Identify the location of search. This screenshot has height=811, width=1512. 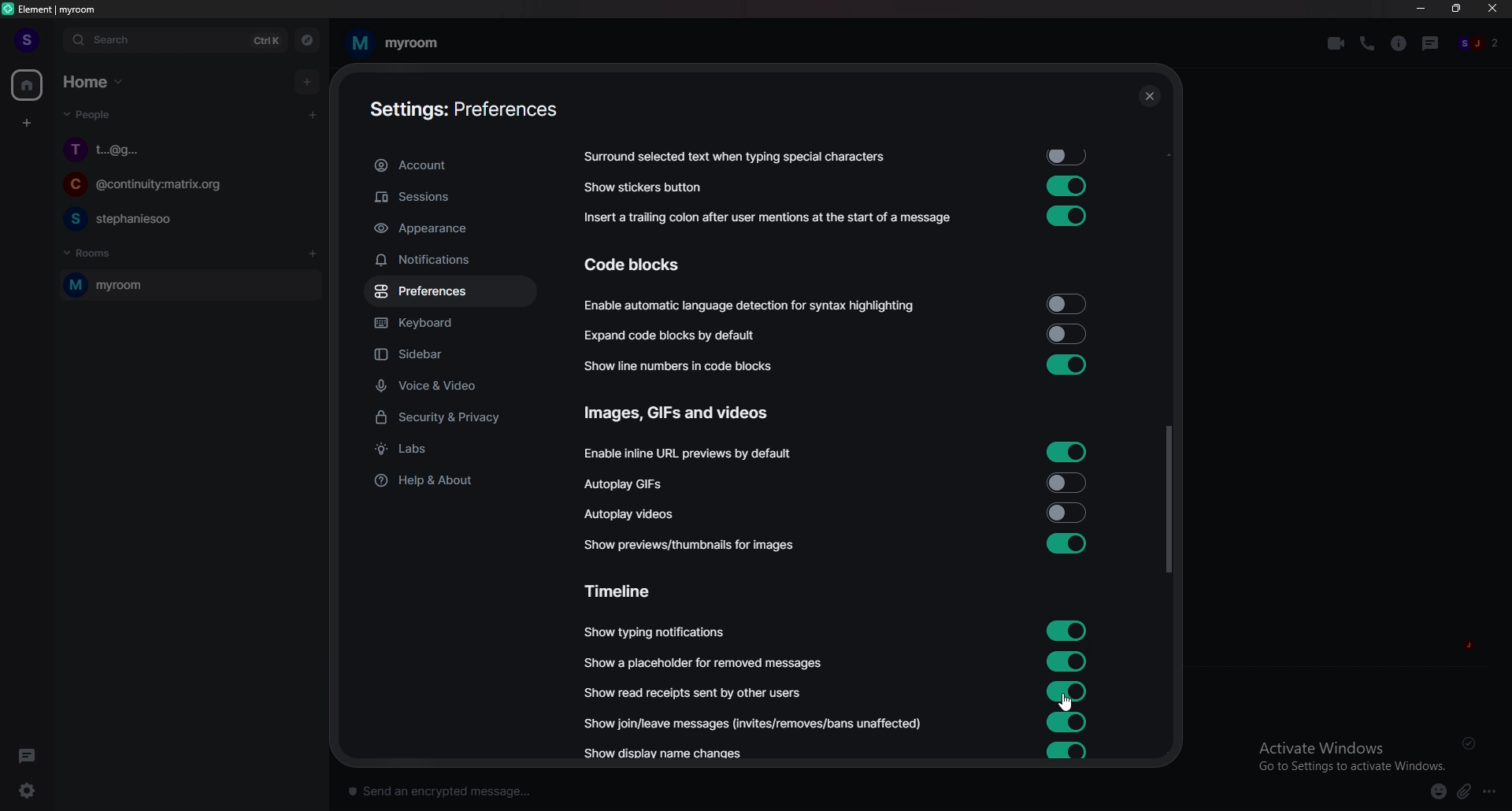
(174, 40).